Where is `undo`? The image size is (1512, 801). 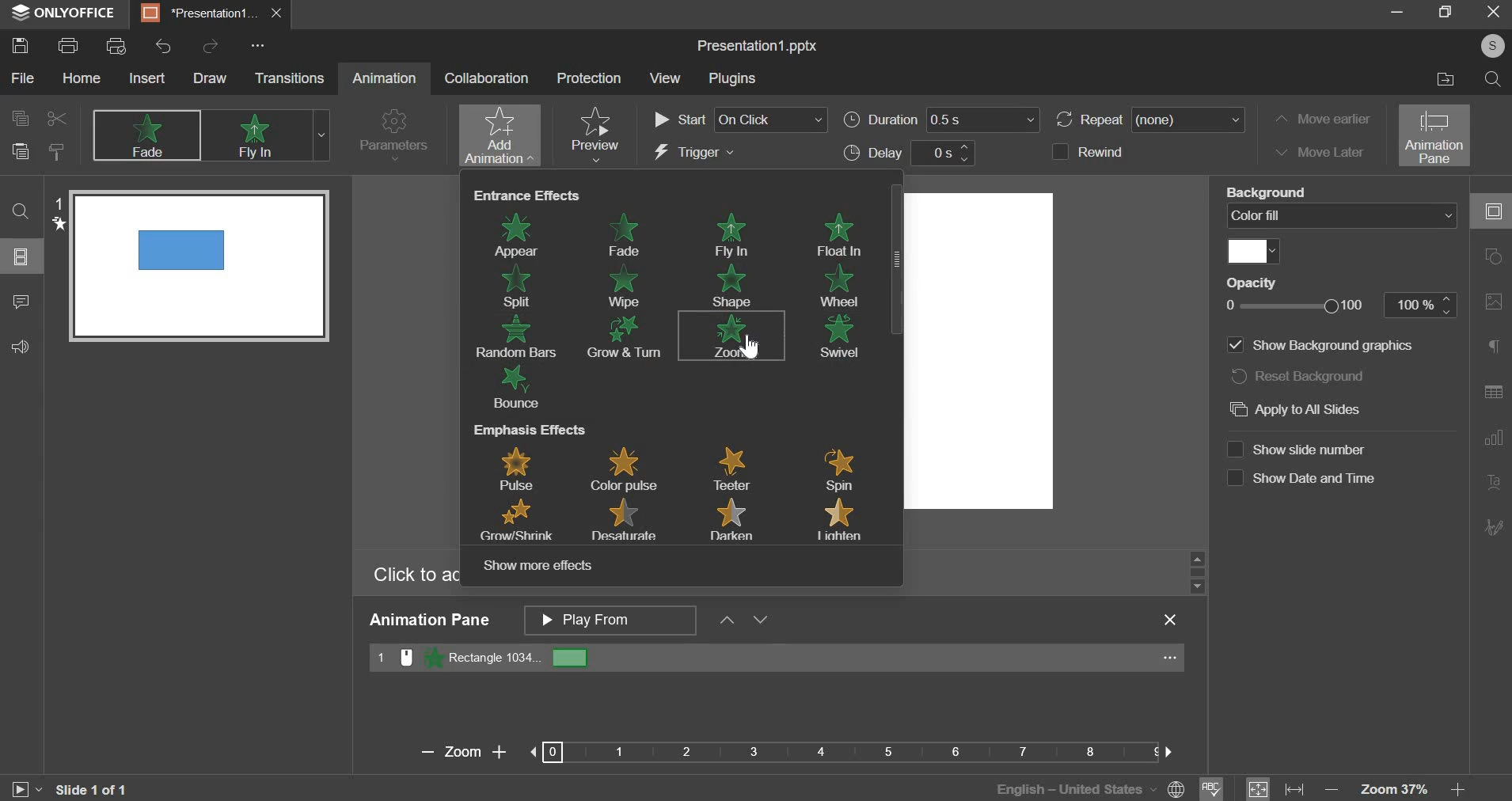
undo is located at coordinates (165, 47).